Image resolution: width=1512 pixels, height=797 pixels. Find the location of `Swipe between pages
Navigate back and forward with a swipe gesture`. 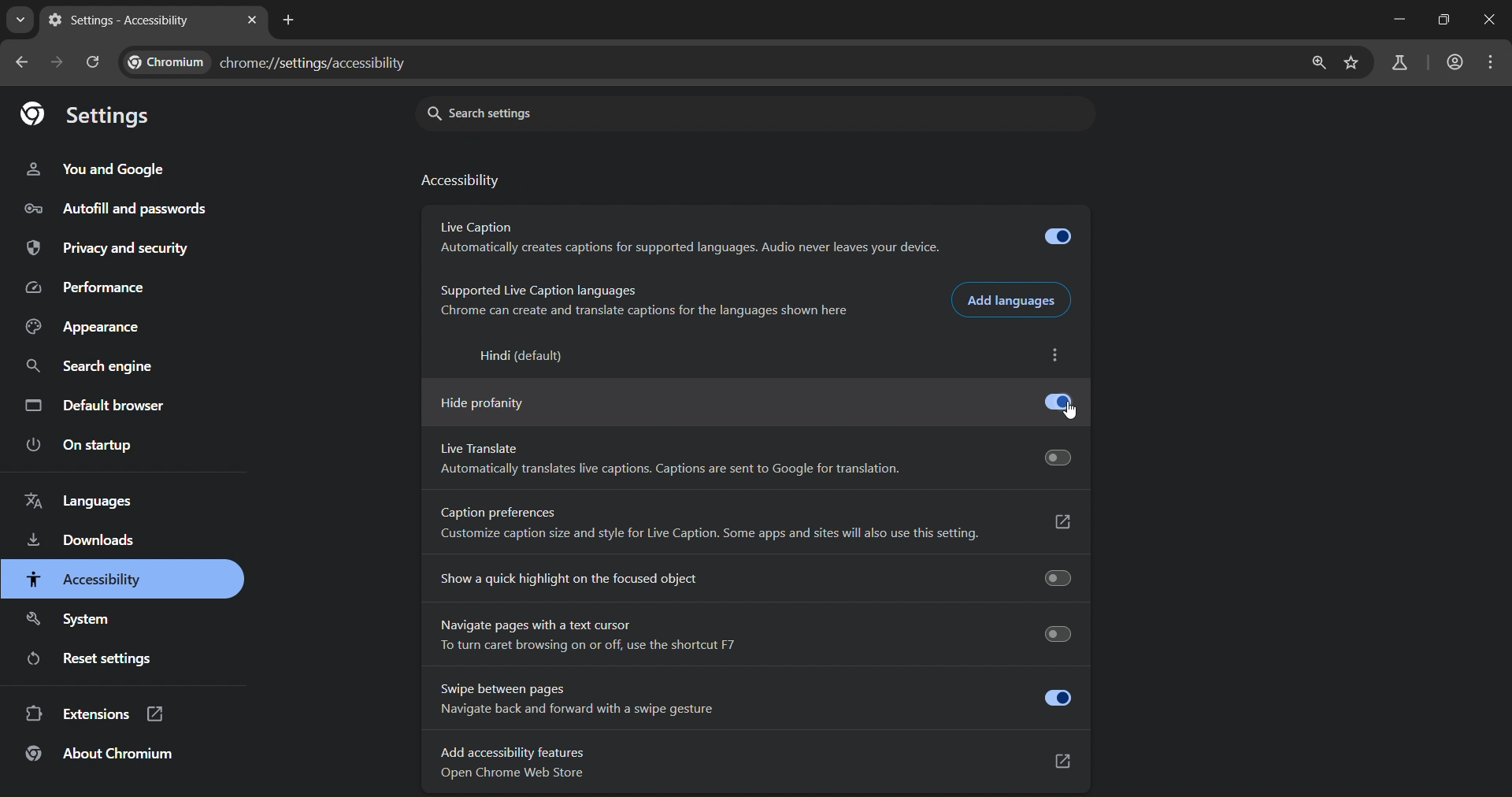

Swipe between pages
Navigate back and forward with a swipe gesture is located at coordinates (754, 698).